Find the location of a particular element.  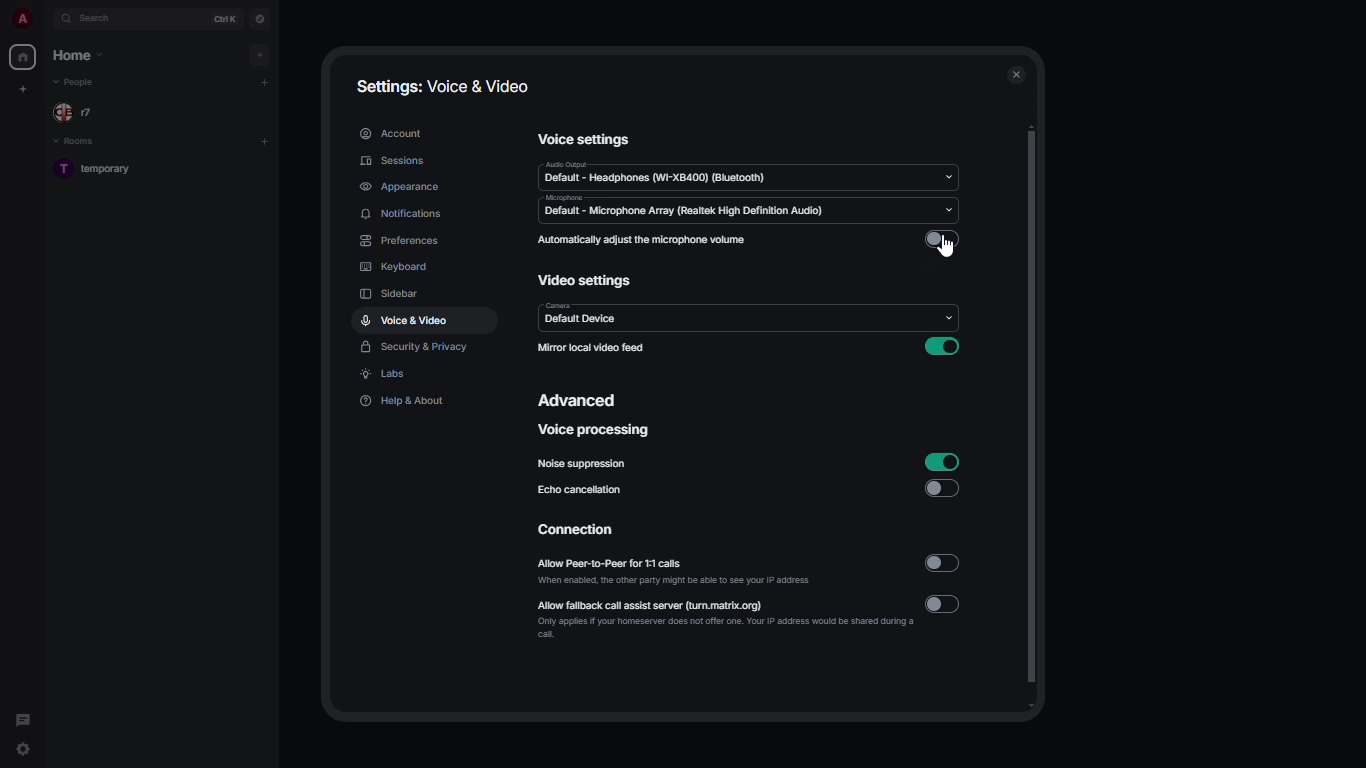

sessions is located at coordinates (395, 161).